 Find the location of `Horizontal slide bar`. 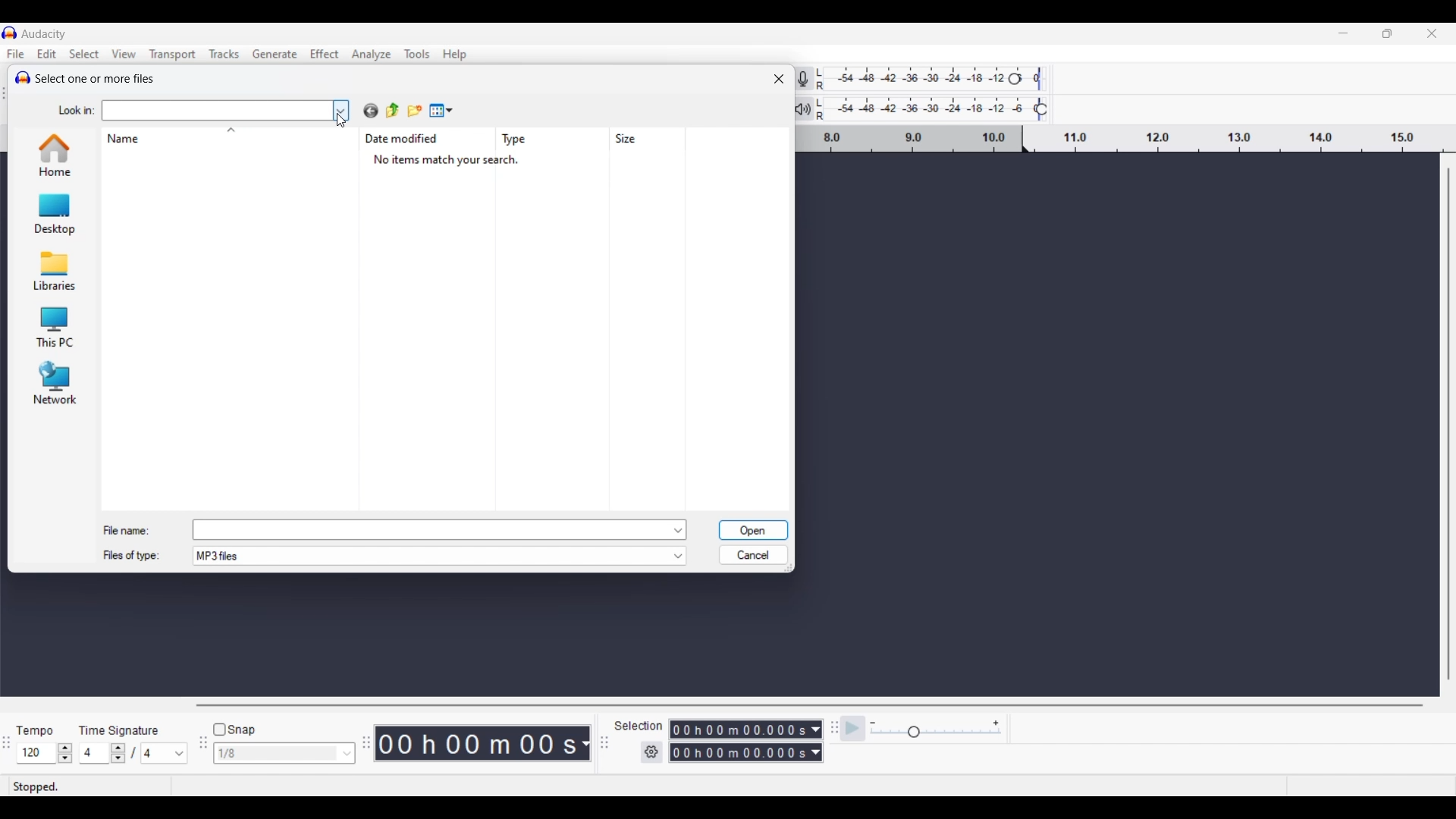

Horizontal slide bar is located at coordinates (808, 706).